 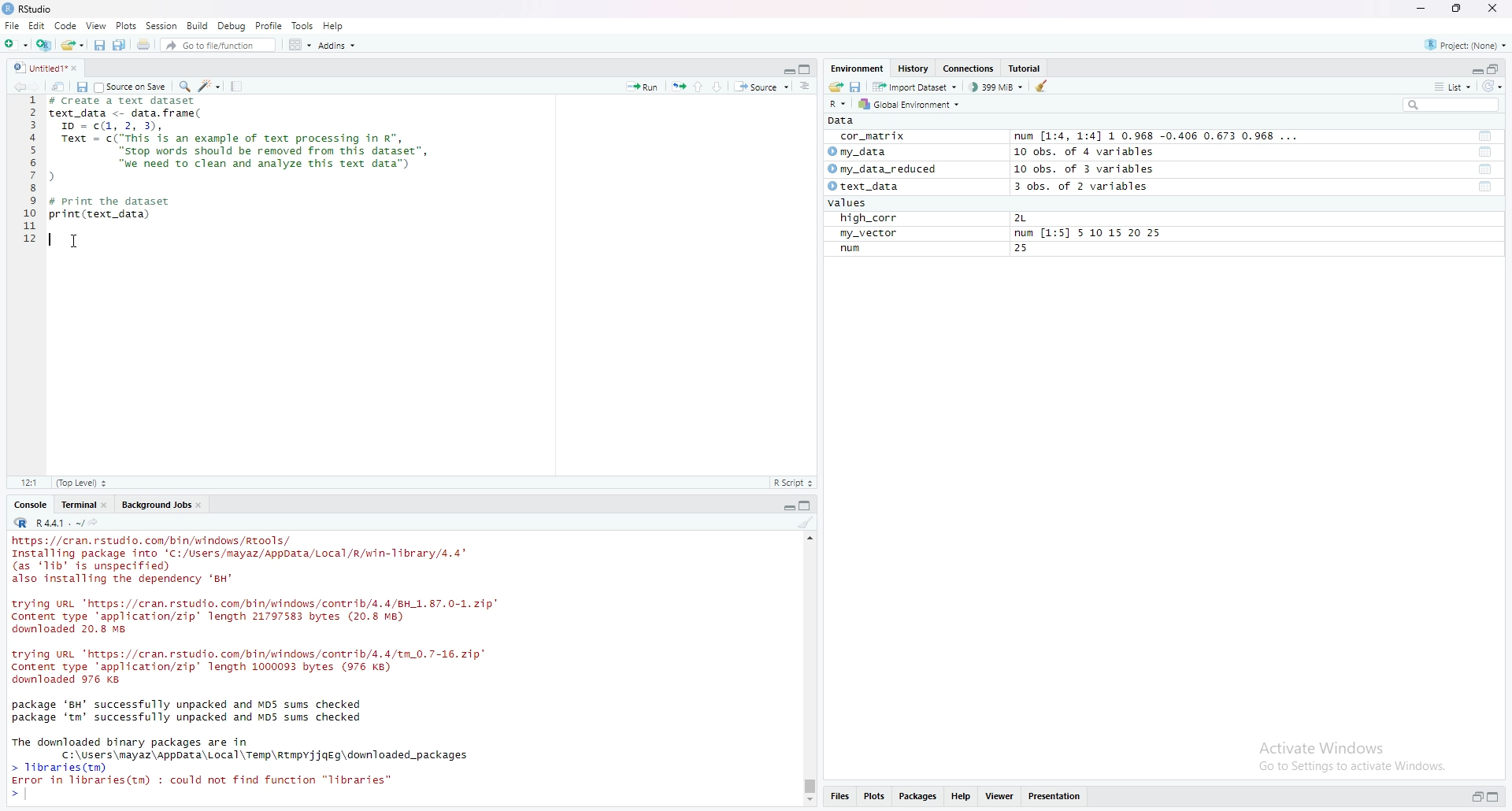 I want to click on collapse, so click(x=1497, y=797).